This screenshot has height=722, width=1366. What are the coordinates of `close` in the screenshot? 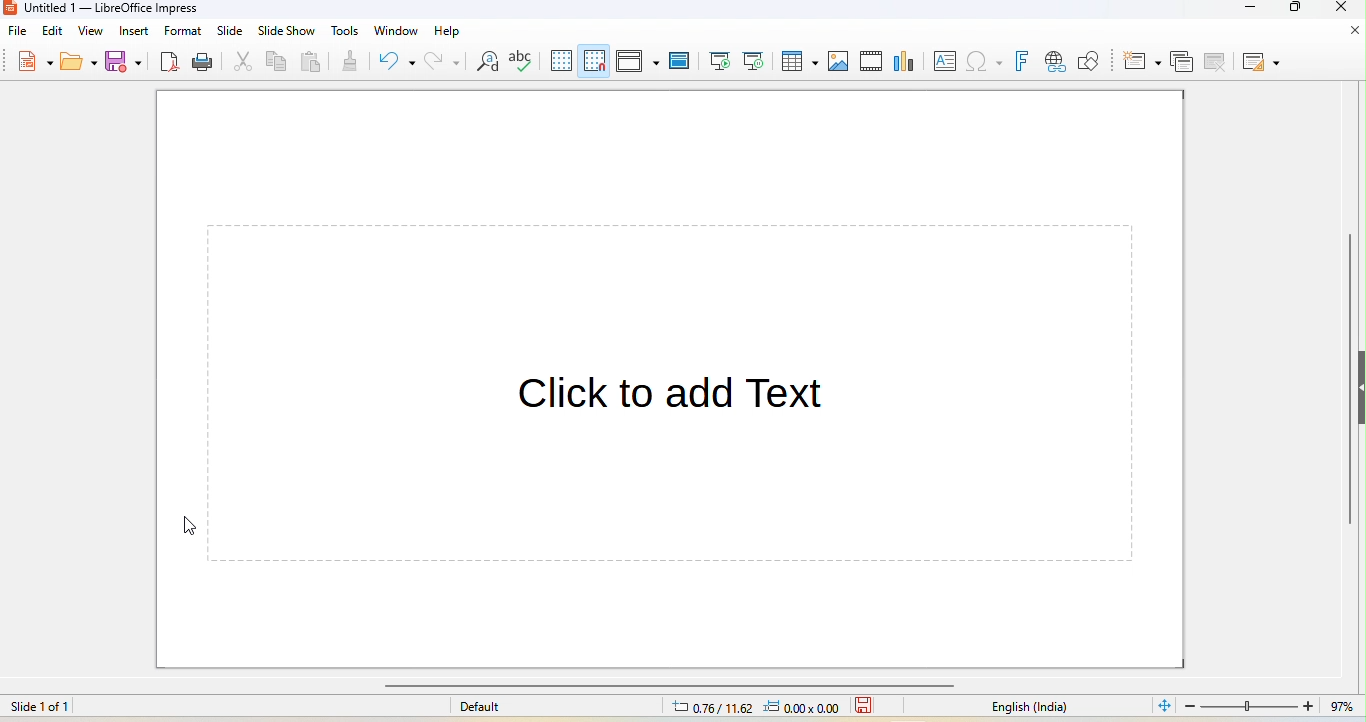 It's located at (1338, 9).